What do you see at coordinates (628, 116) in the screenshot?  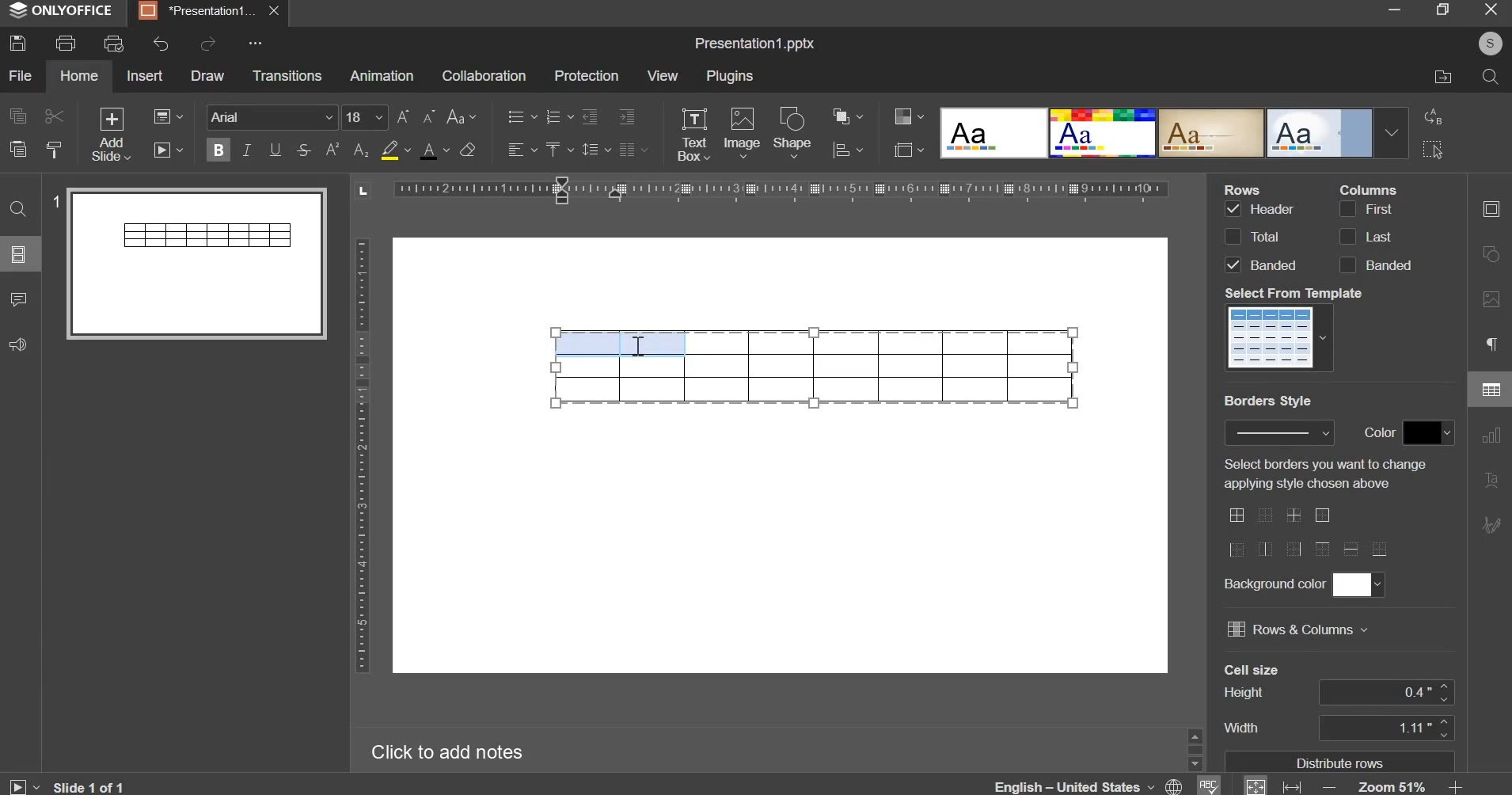 I see `increase indent` at bounding box center [628, 116].